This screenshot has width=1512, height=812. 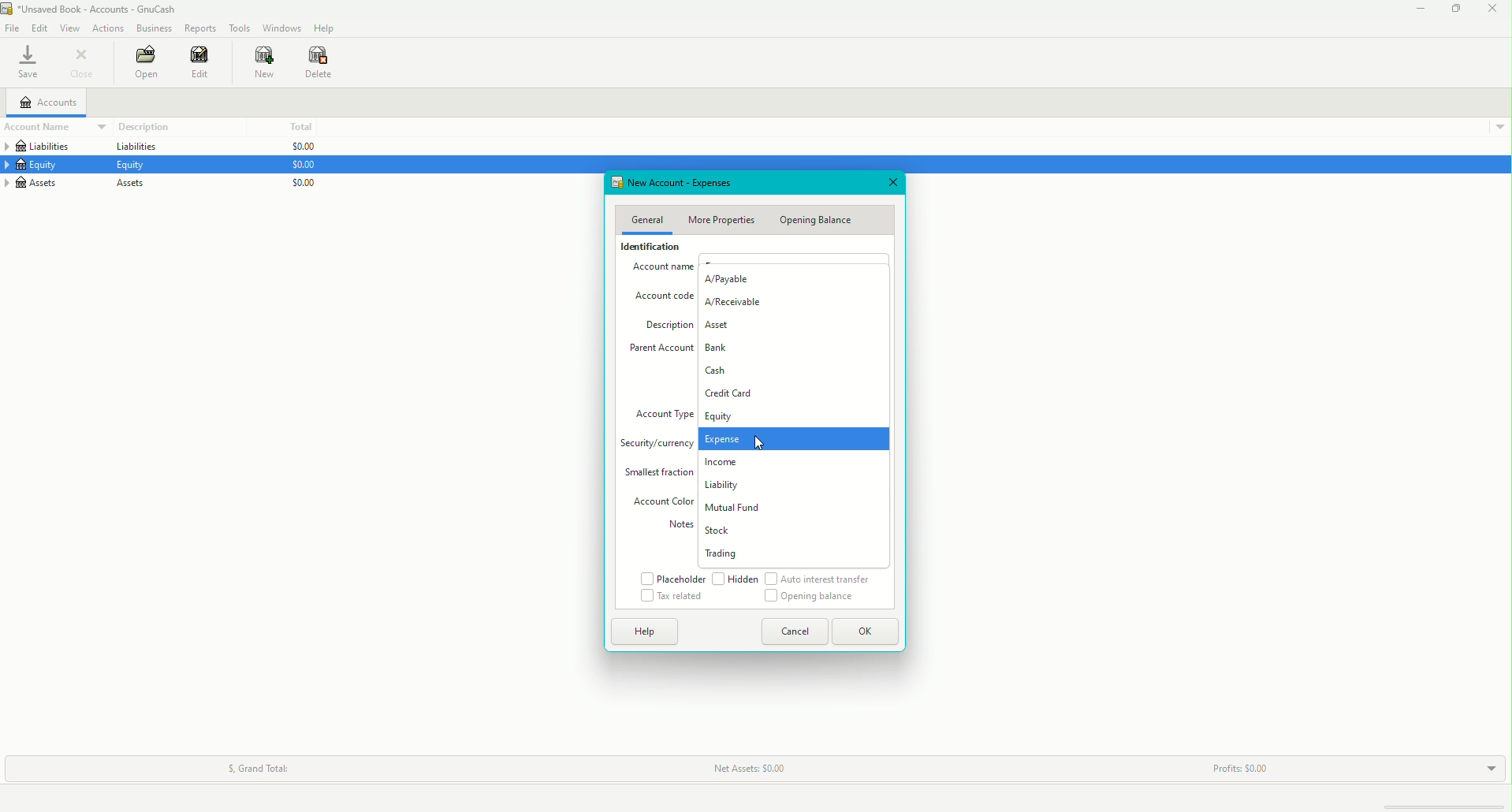 I want to click on Accounts, so click(x=48, y=102).